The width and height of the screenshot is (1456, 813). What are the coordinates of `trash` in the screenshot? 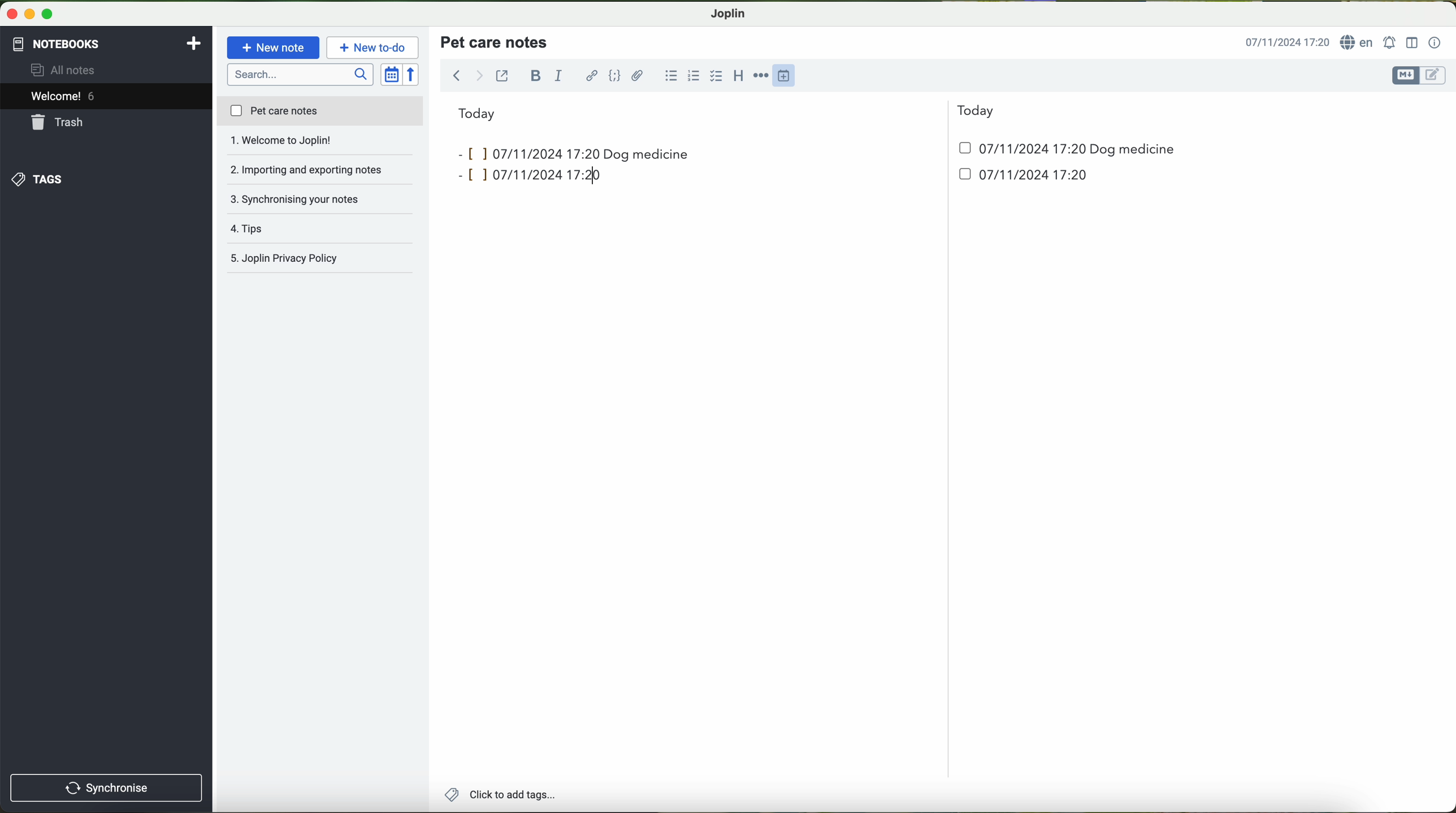 It's located at (58, 124).